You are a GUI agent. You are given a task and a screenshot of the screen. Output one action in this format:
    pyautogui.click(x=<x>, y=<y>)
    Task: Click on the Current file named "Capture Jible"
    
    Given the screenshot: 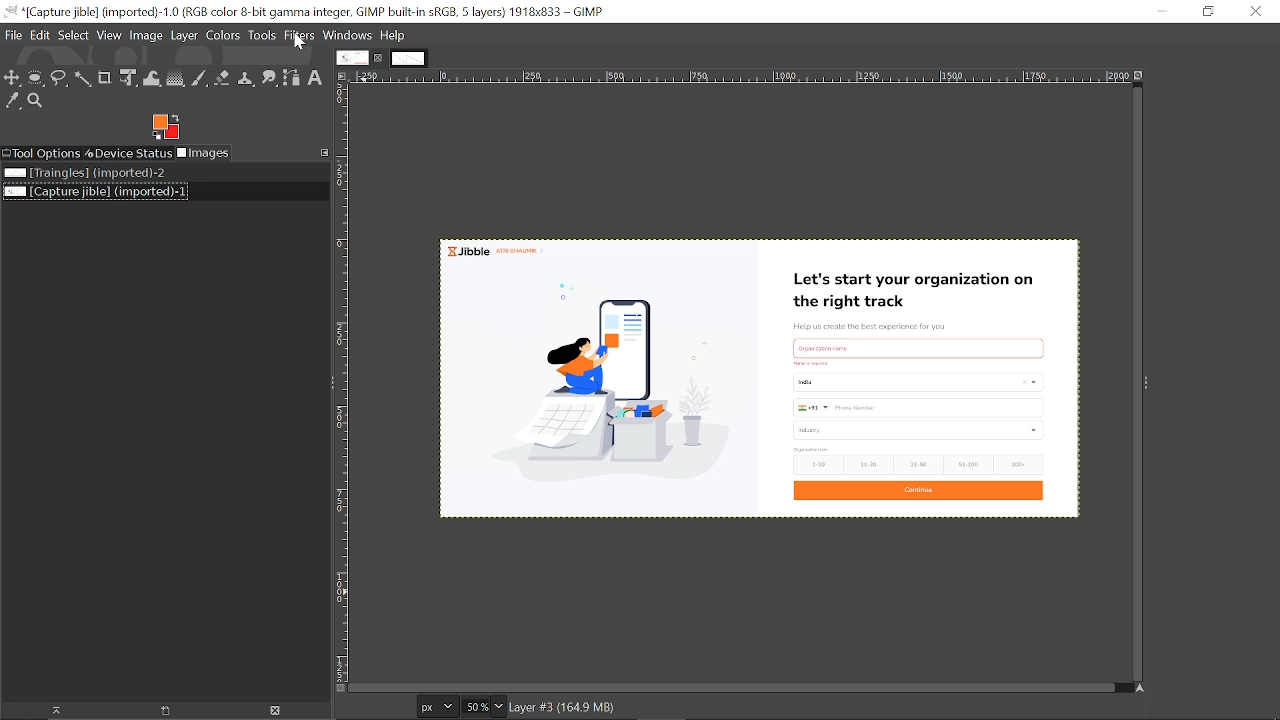 What is the action you would take?
    pyautogui.click(x=96, y=191)
    